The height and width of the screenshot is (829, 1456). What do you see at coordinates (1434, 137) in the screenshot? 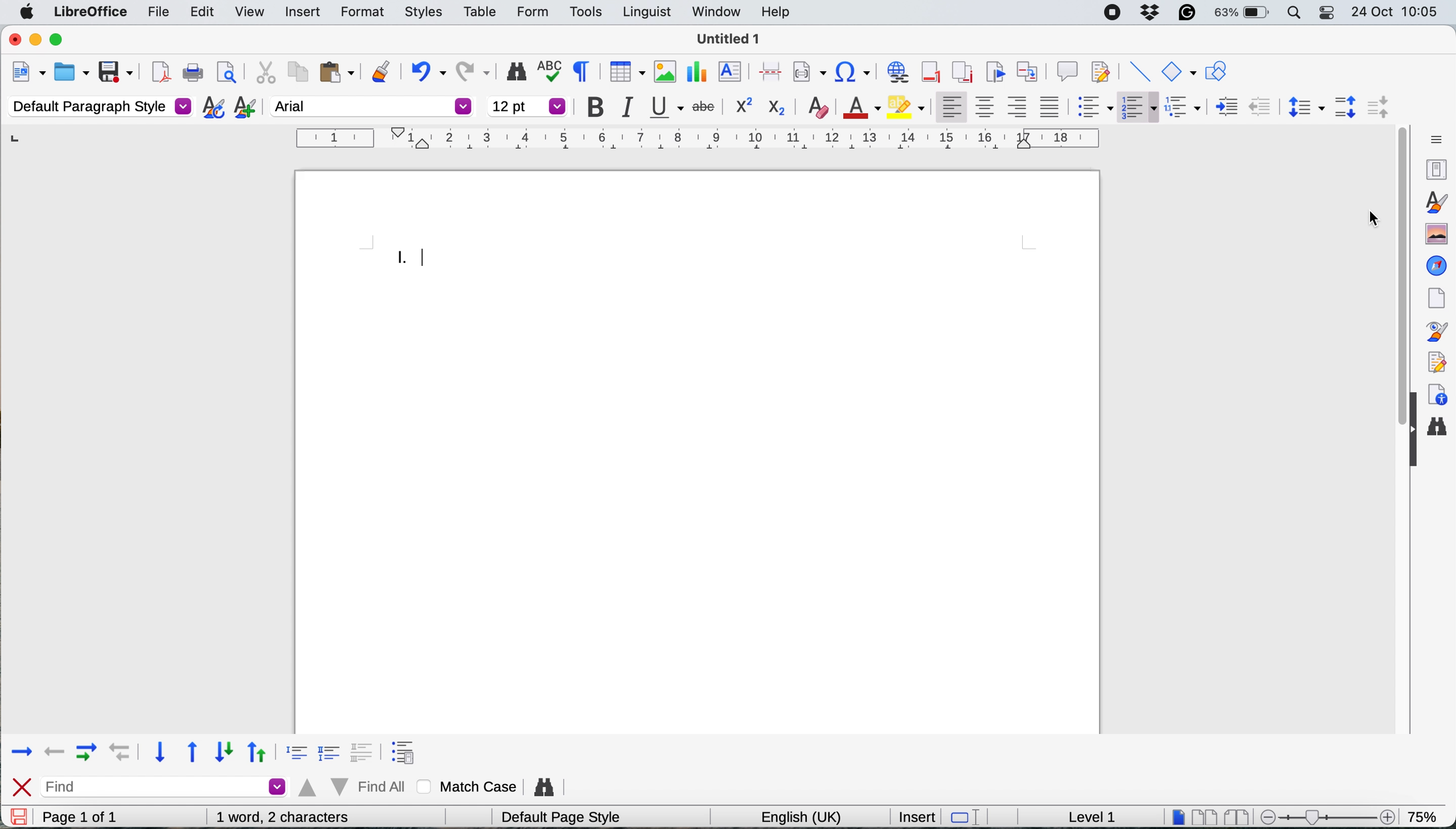
I see `sidebar settings` at bounding box center [1434, 137].